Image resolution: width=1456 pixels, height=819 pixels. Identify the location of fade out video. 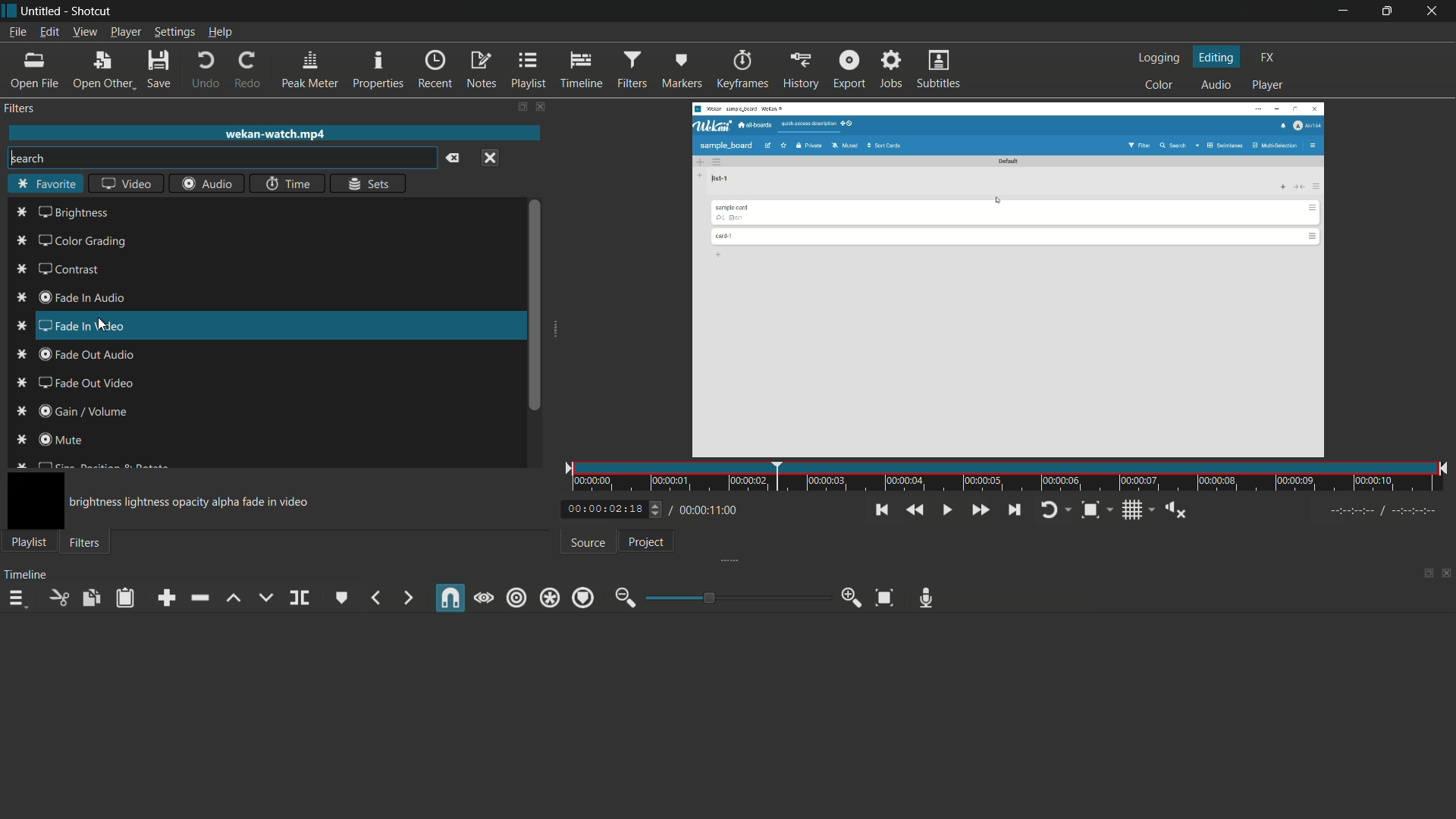
(74, 383).